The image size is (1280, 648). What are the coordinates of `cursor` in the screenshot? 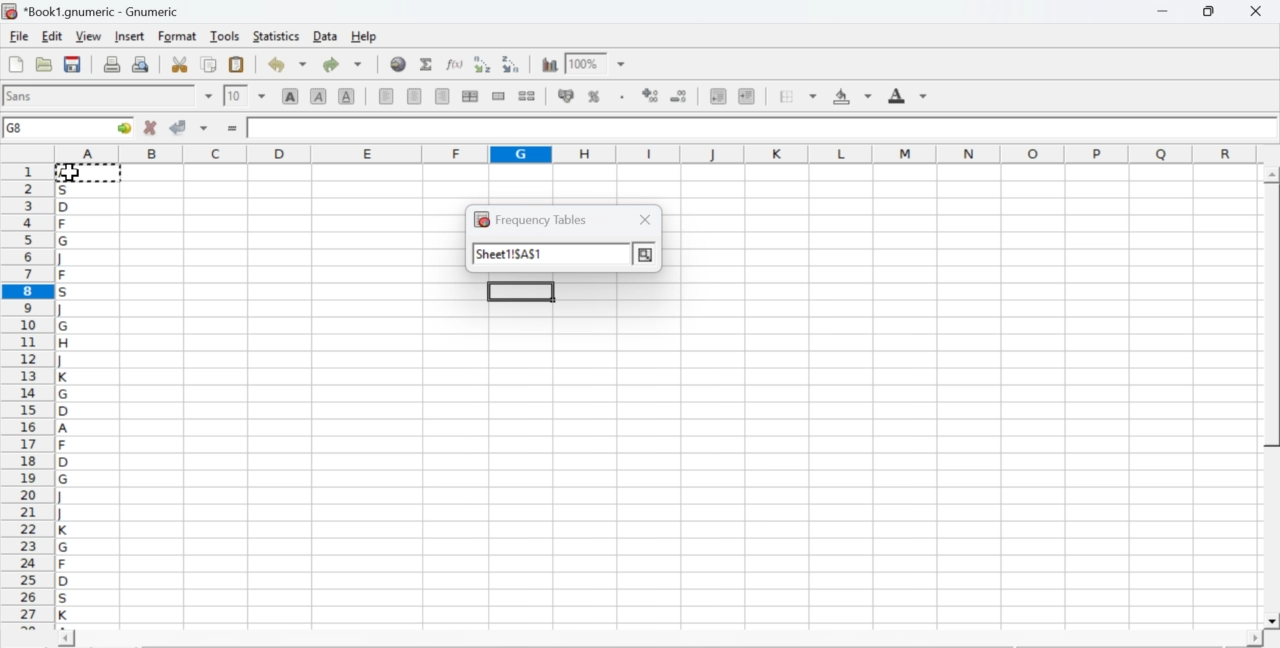 It's located at (70, 173).